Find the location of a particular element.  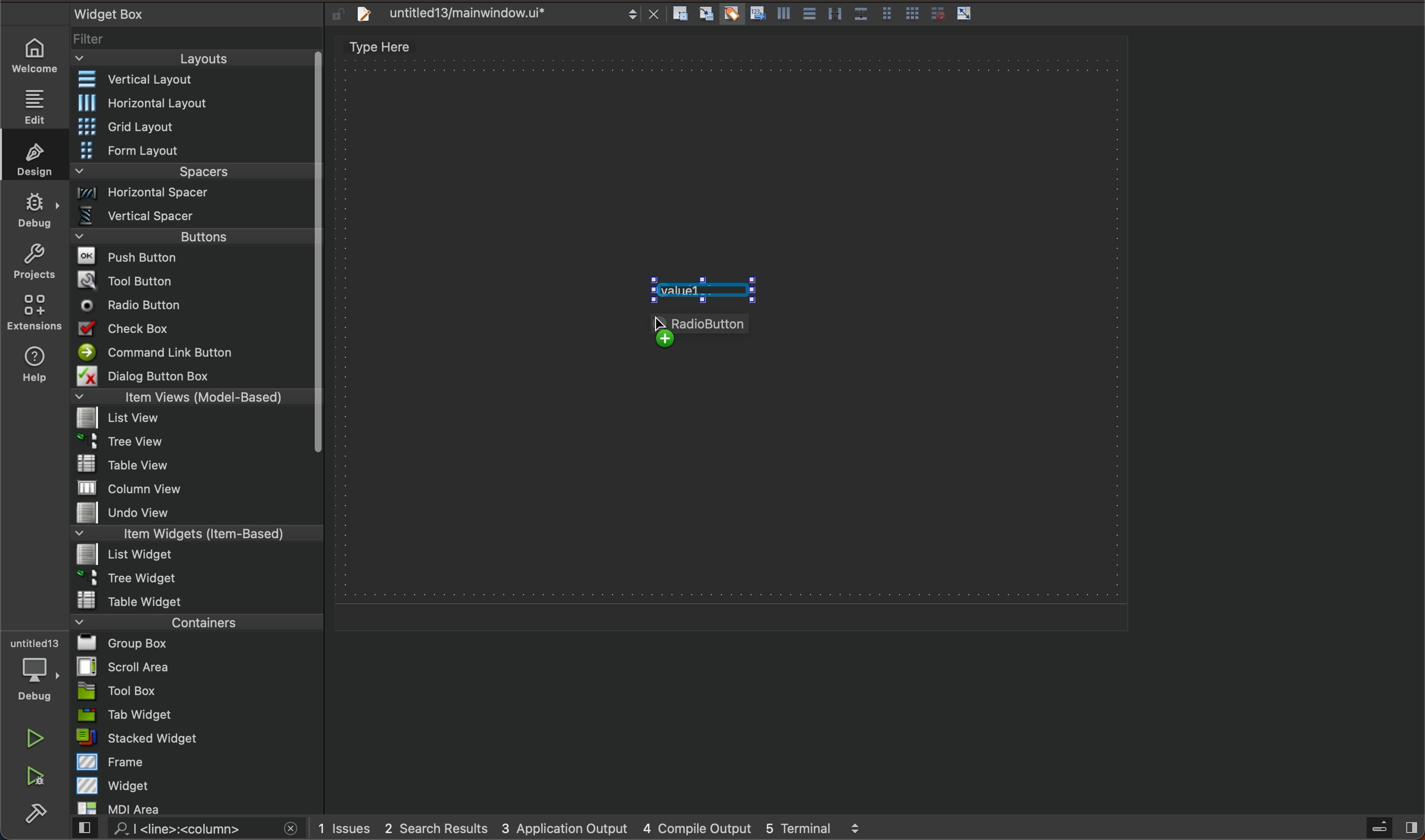

file tab is located at coordinates (504, 14).